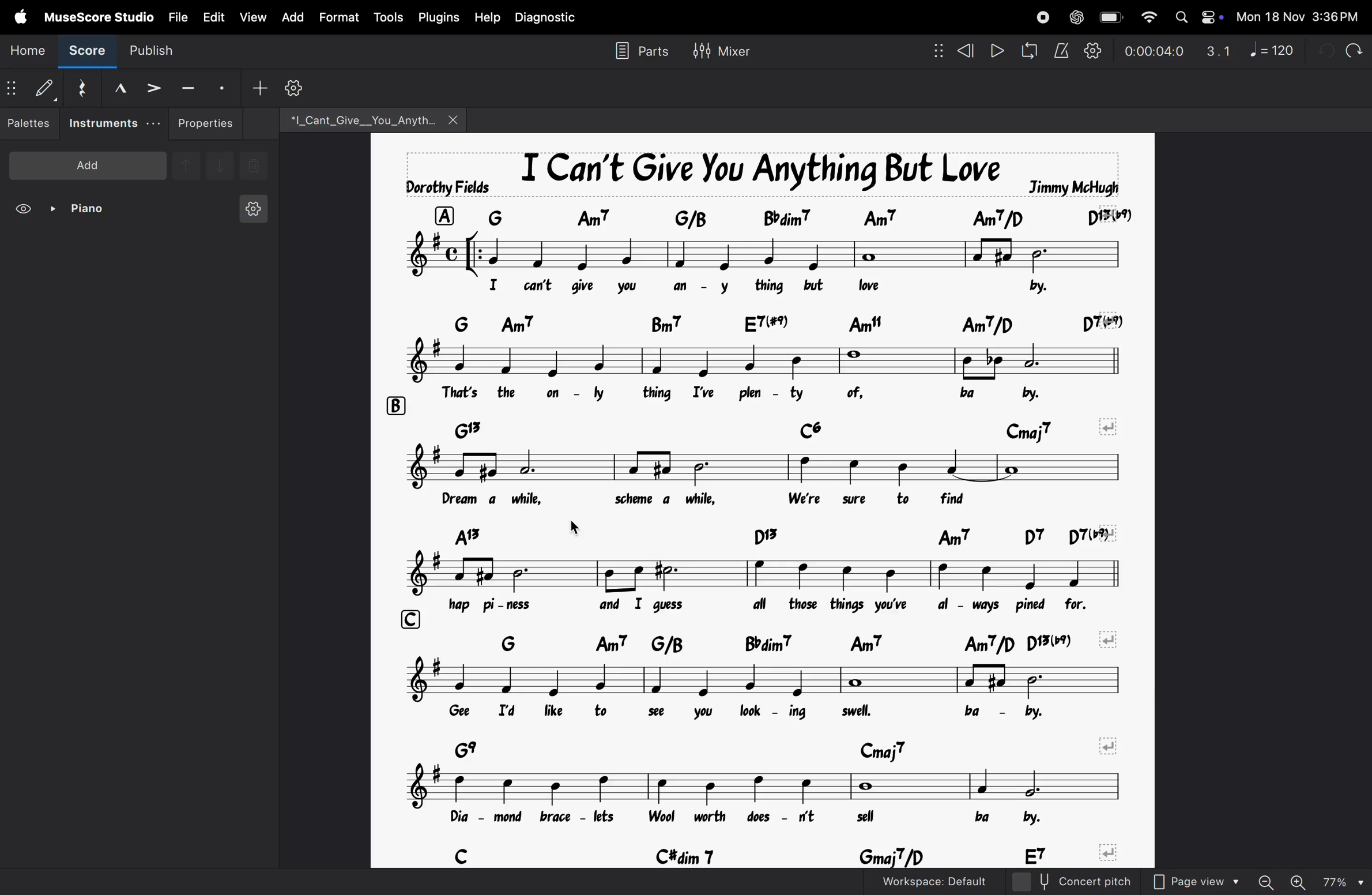 The image size is (1372, 895). Describe the element at coordinates (257, 167) in the screenshot. I see `delete` at that location.